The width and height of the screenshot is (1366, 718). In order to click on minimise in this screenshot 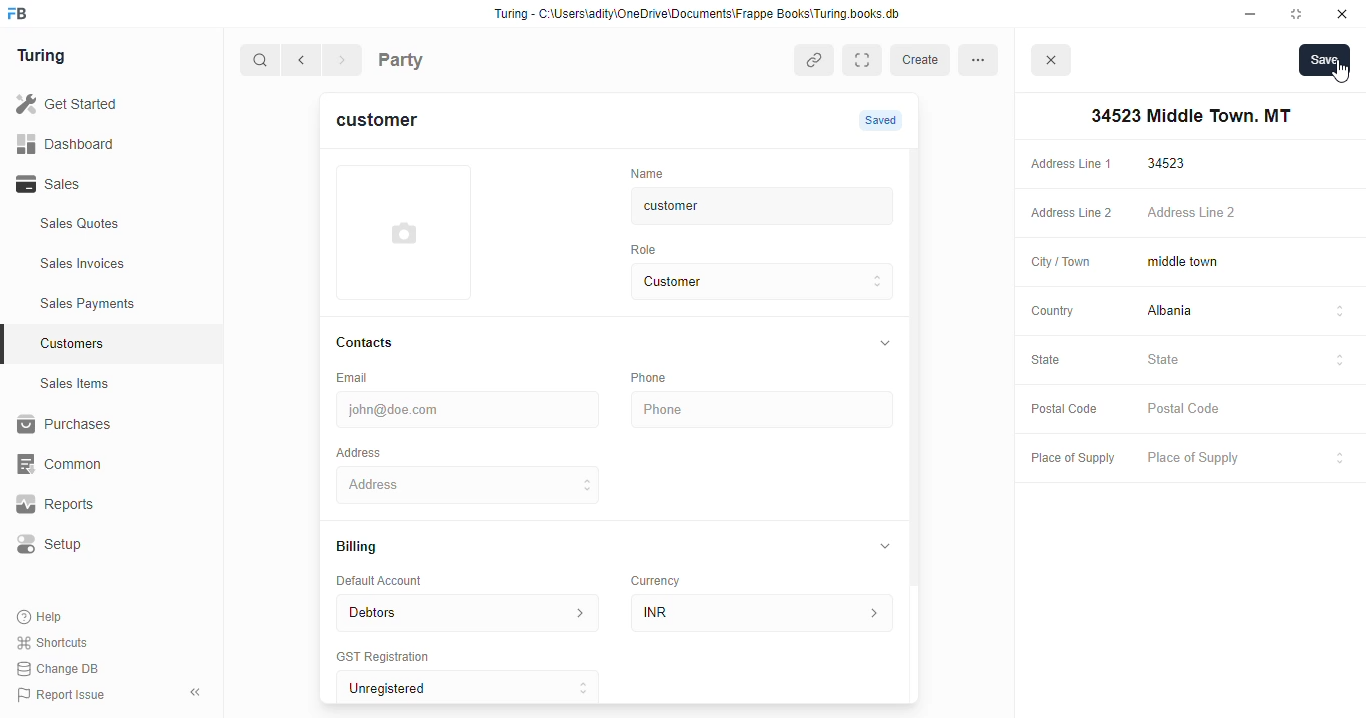, I will do `click(1251, 14)`.